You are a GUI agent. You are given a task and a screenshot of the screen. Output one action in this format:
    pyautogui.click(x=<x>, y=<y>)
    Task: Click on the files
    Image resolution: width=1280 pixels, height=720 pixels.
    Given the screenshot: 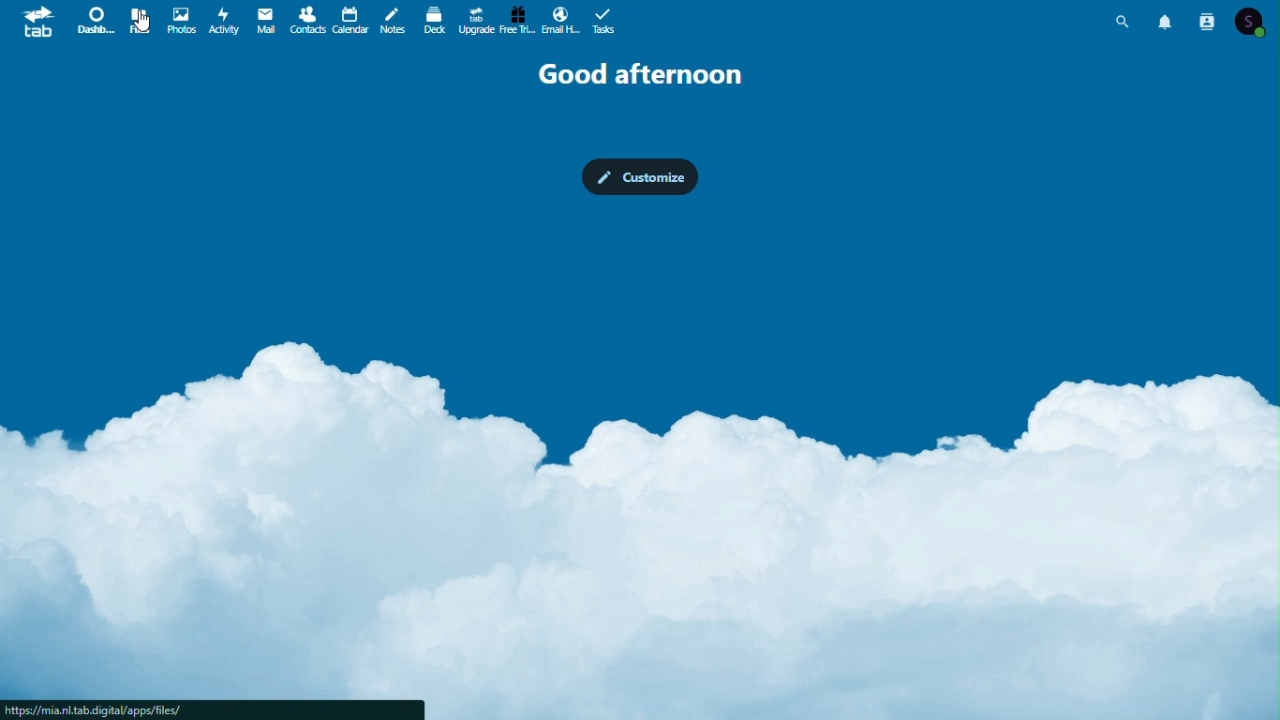 What is the action you would take?
    pyautogui.click(x=139, y=21)
    